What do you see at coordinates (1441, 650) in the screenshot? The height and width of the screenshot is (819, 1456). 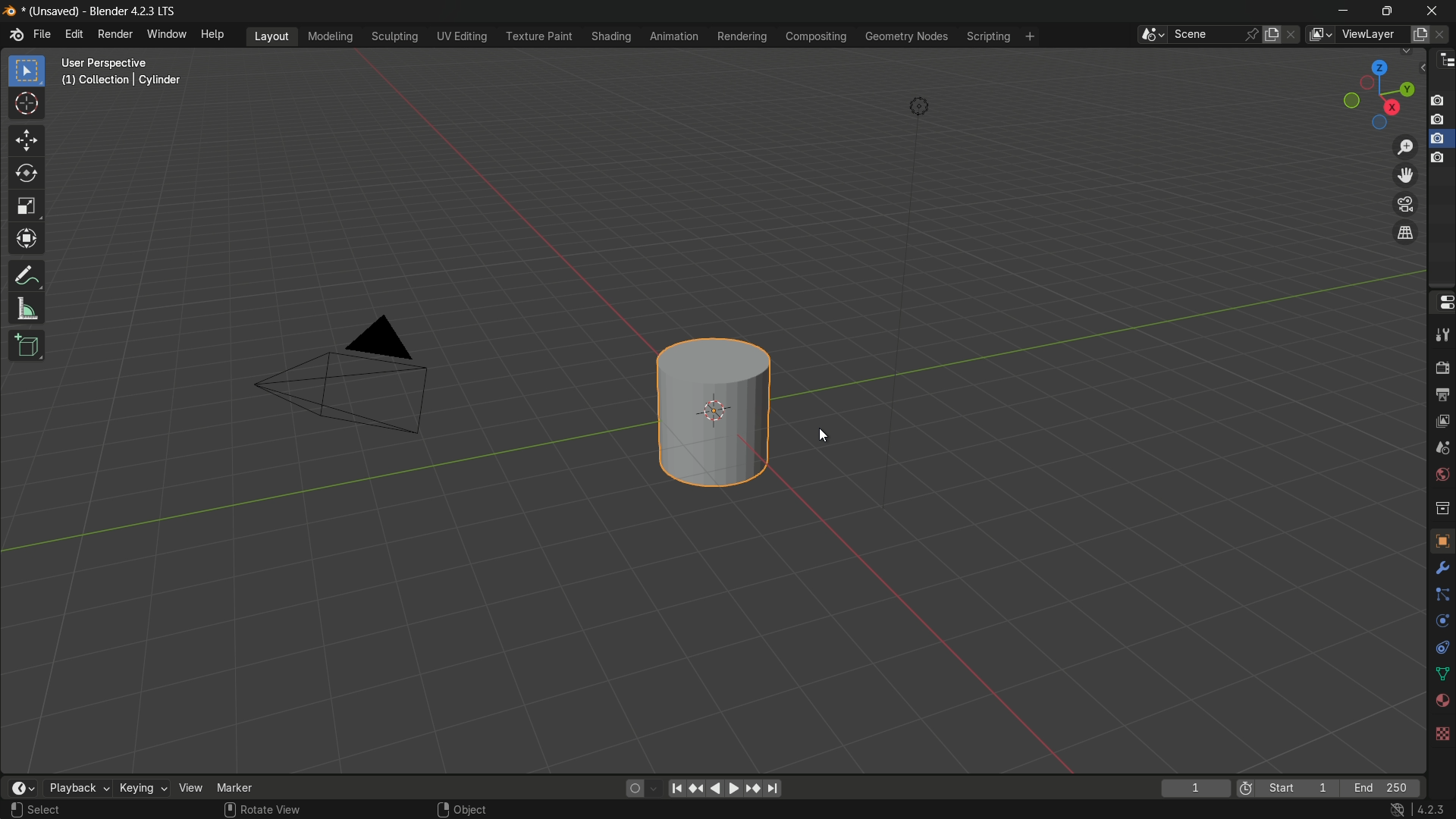 I see `constraints` at bounding box center [1441, 650].